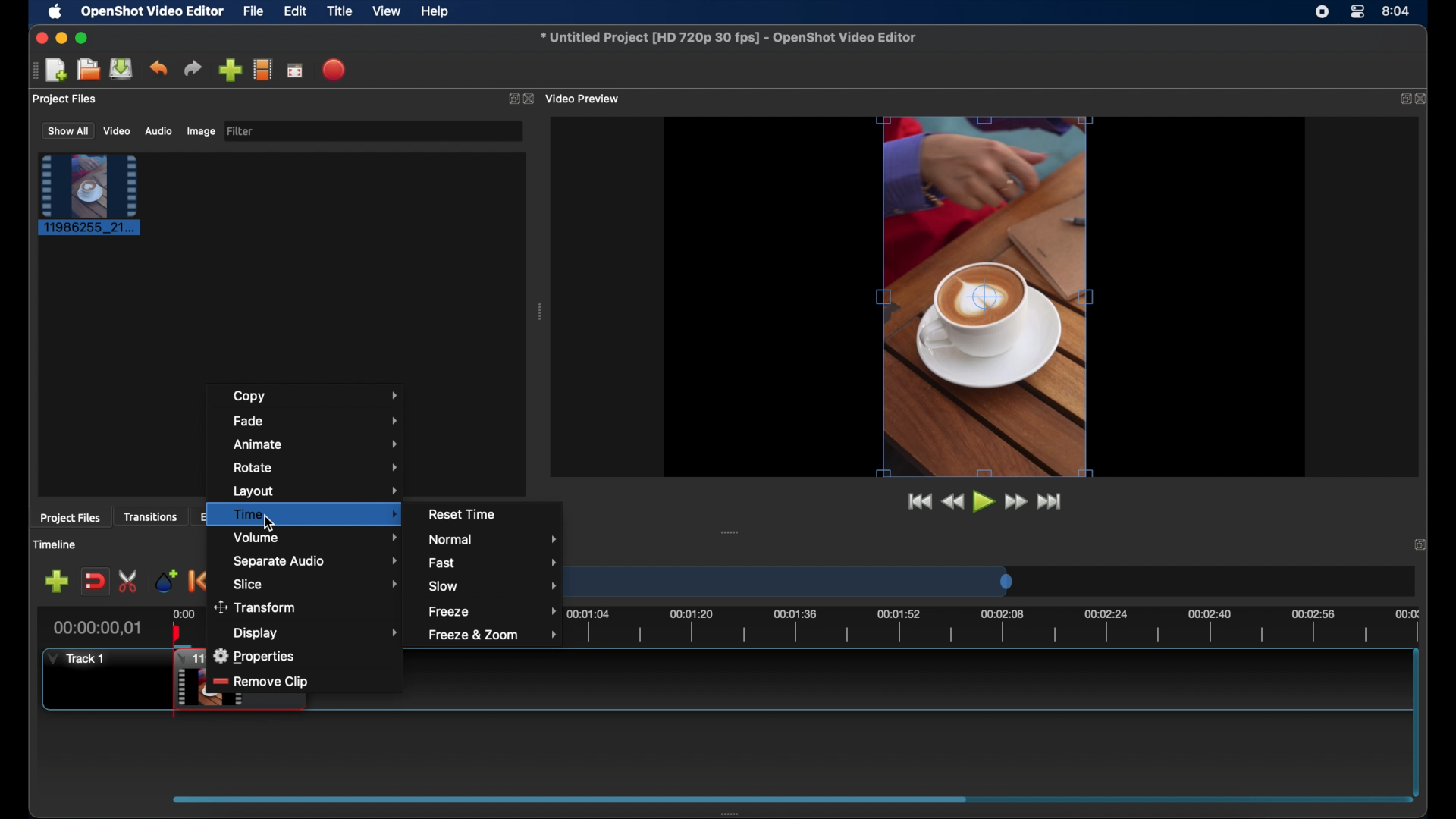  I want to click on export video, so click(335, 70).